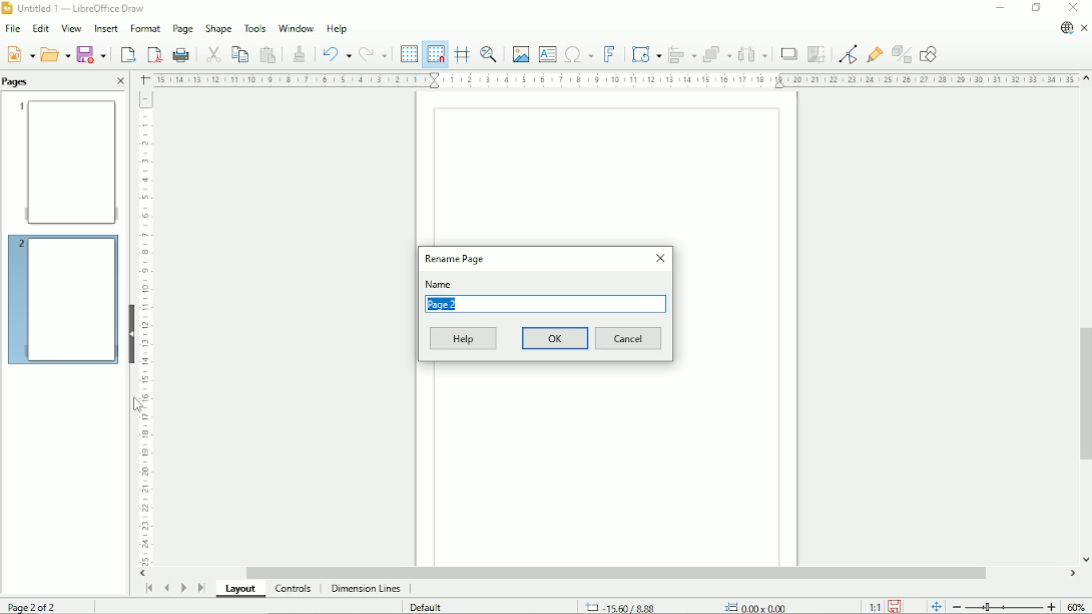  I want to click on Insert, so click(104, 29).